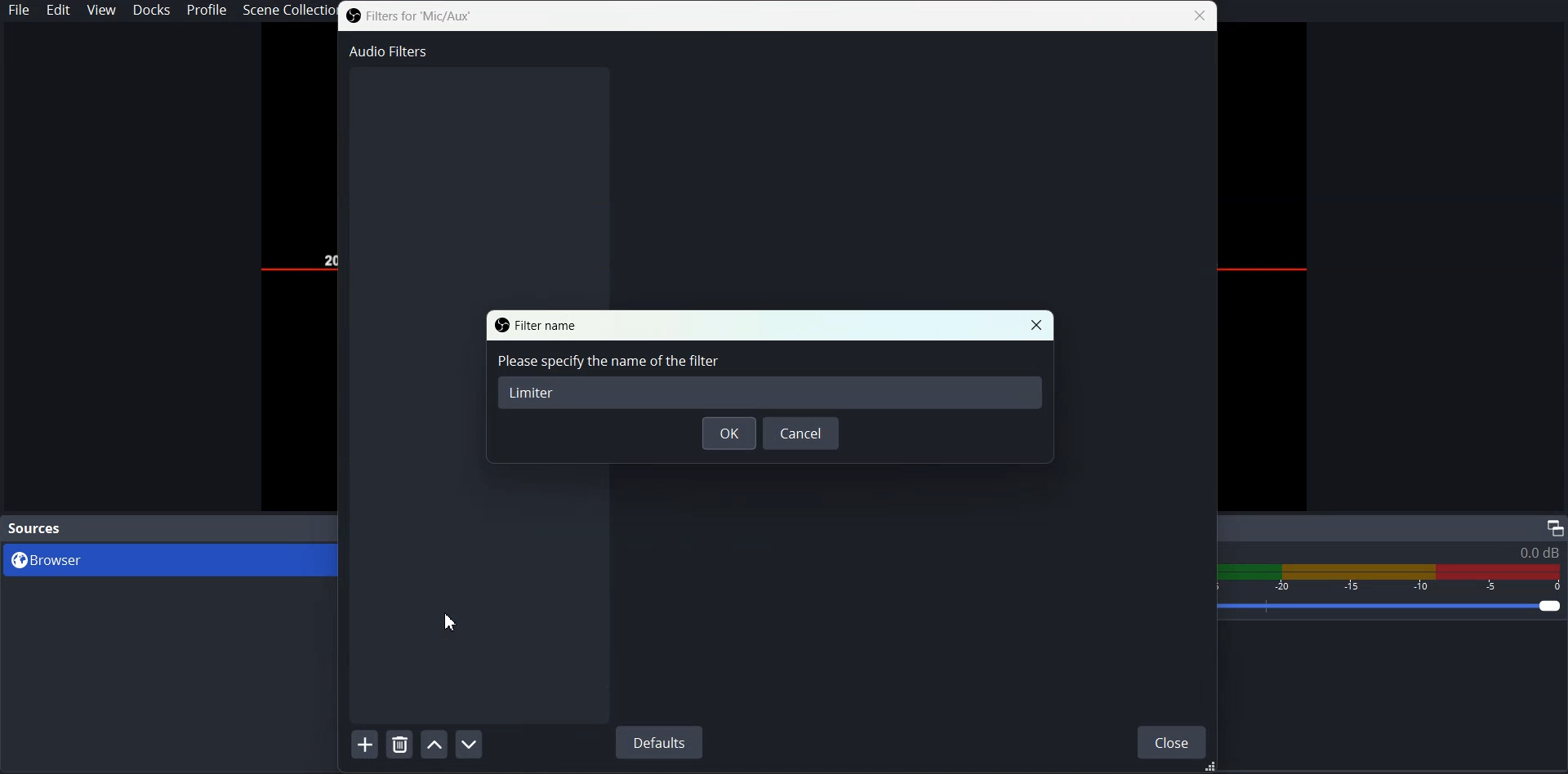 The height and width of the screenshot is (774, 1568). I want to click on Move Filter Down, so click(470, 744).